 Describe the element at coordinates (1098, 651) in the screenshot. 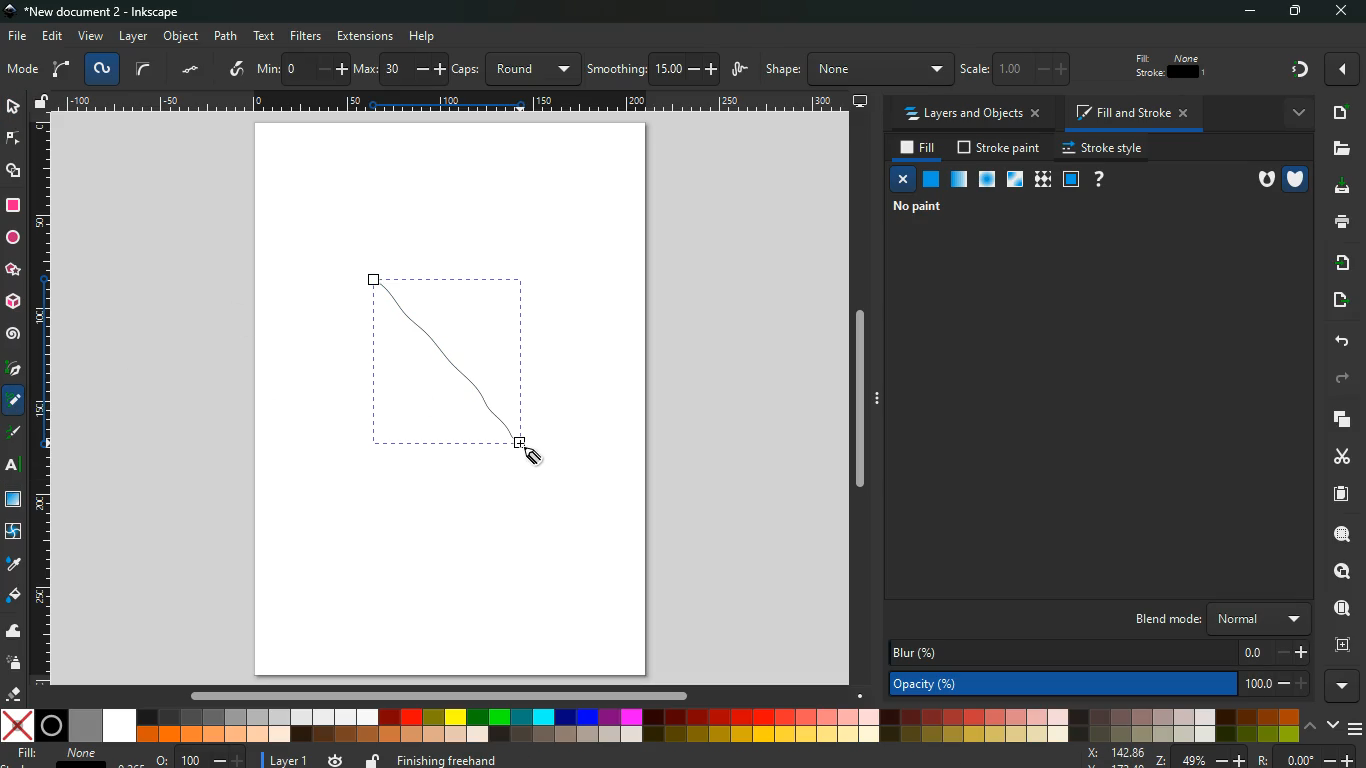

I see `blur` at that location.